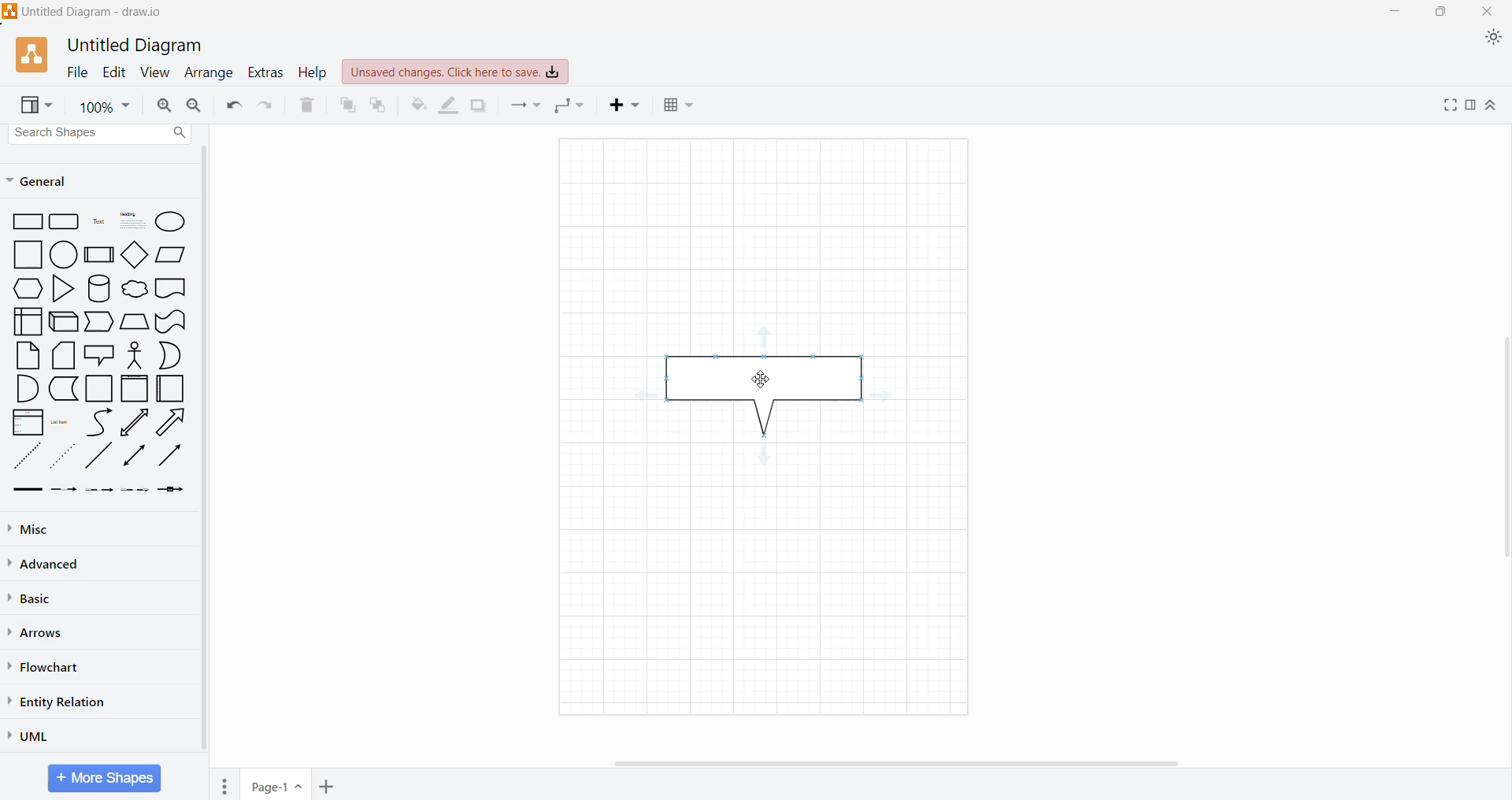  I want to click on Heading, so click(130, 222).